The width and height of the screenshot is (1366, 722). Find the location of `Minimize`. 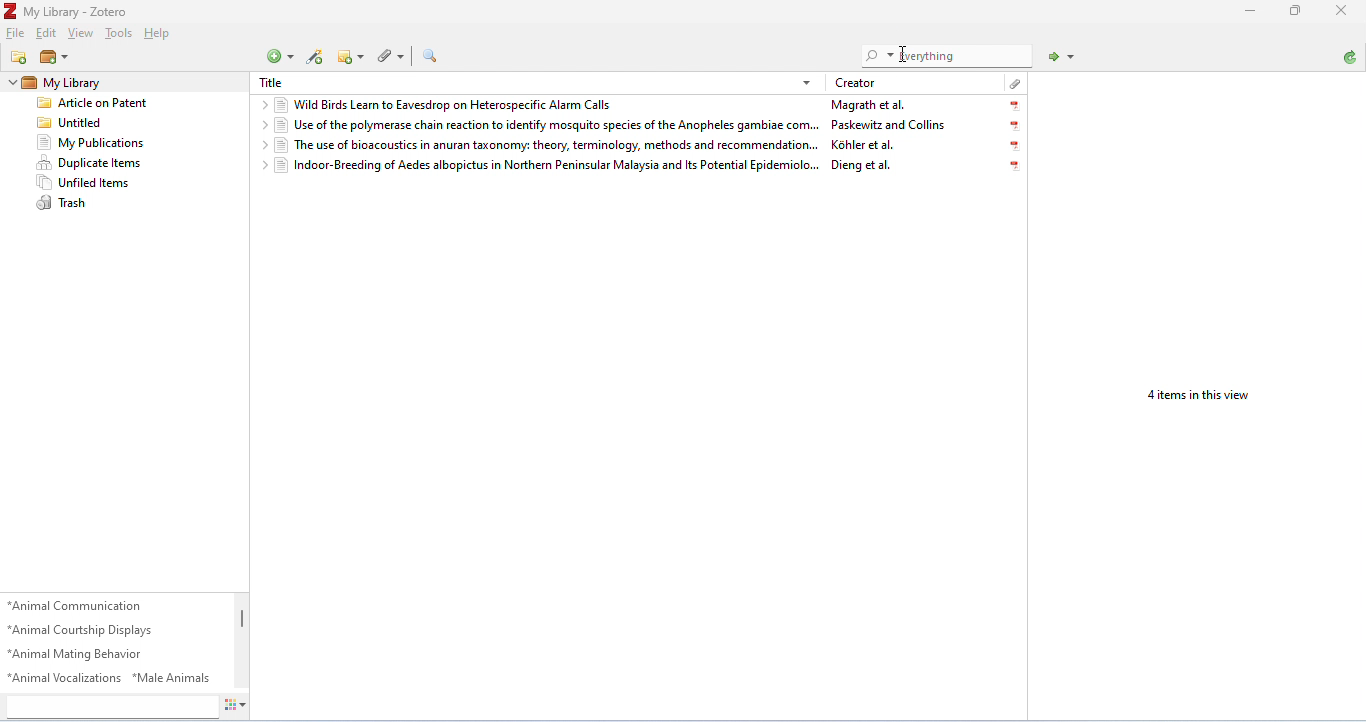

Minimize is located at coordinates (1297, 10).